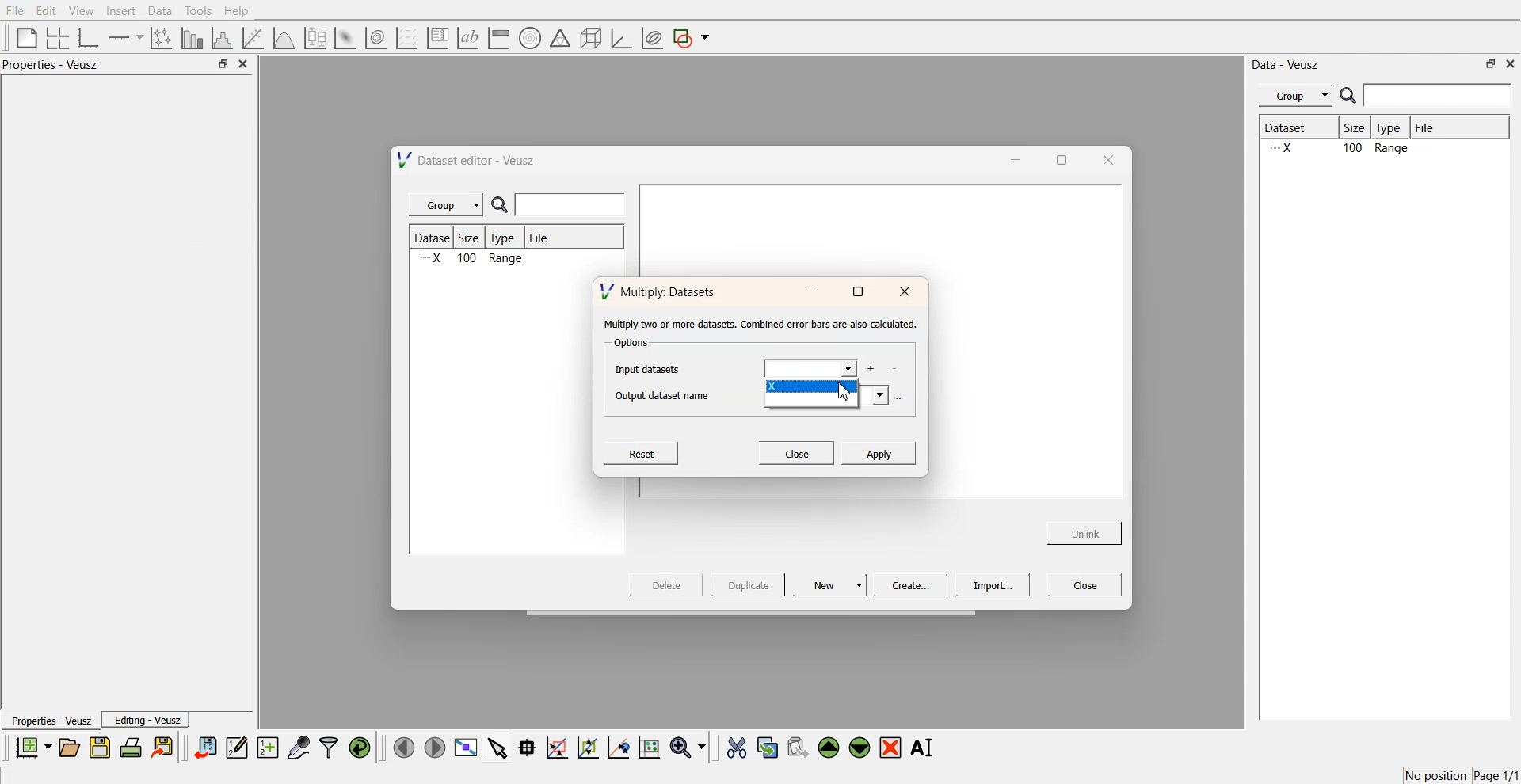  Describe the element at coordinates (196, 10) in the screenshot. I see `Tools` at that location.